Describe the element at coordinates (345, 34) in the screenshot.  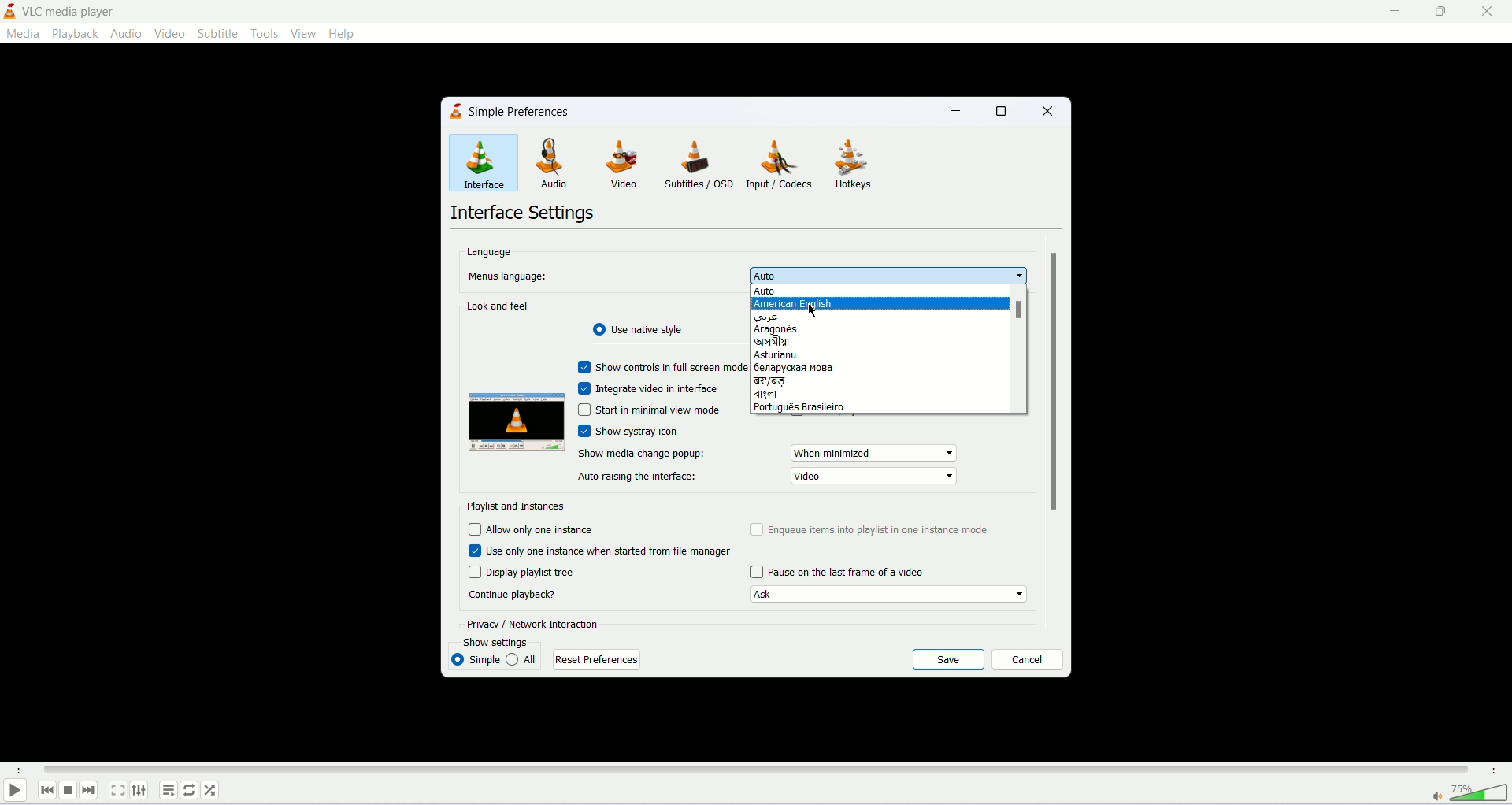
I see `help` at that location.